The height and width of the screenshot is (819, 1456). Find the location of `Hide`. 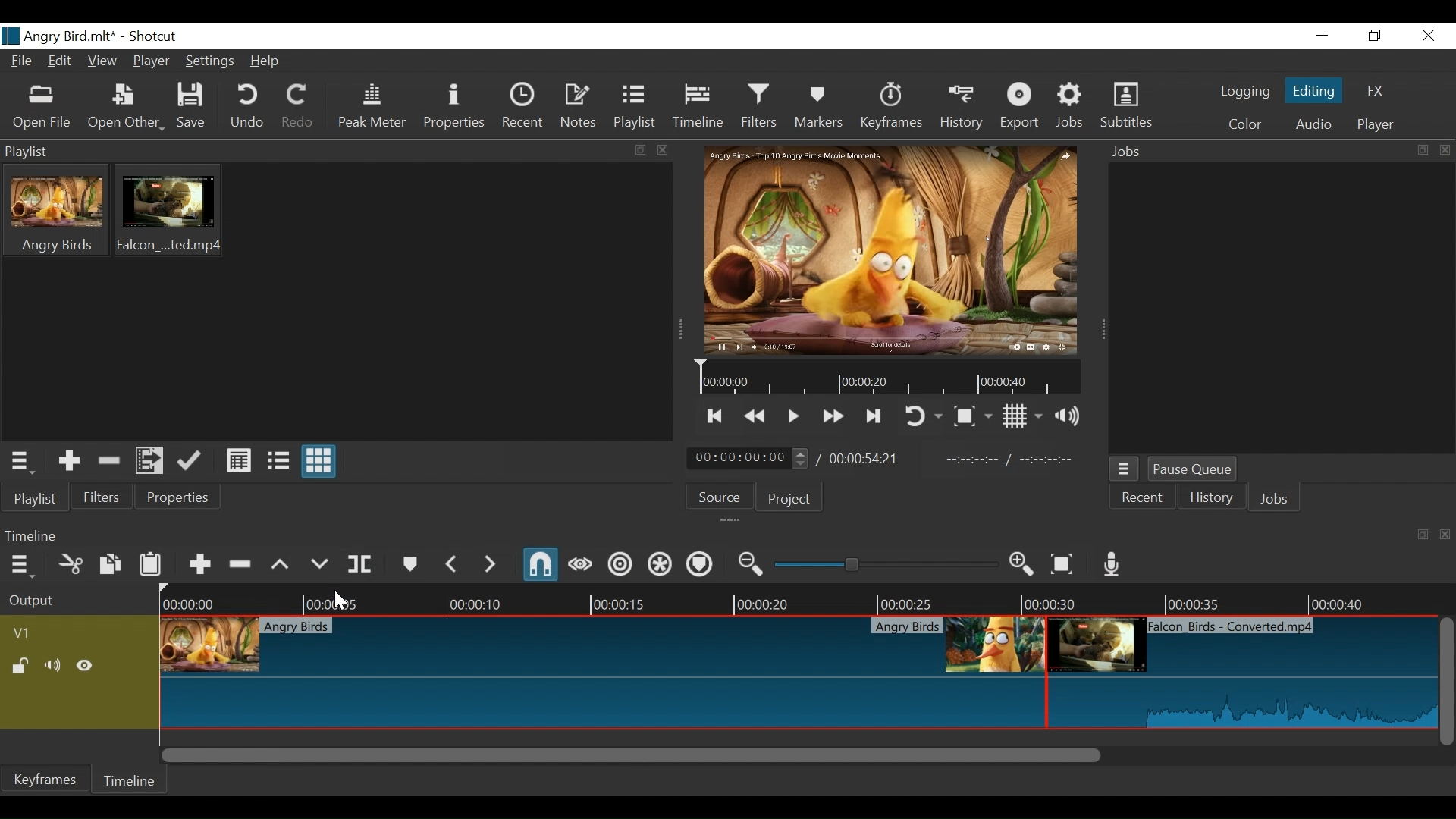

Hide is located at coordinates (84, 665).